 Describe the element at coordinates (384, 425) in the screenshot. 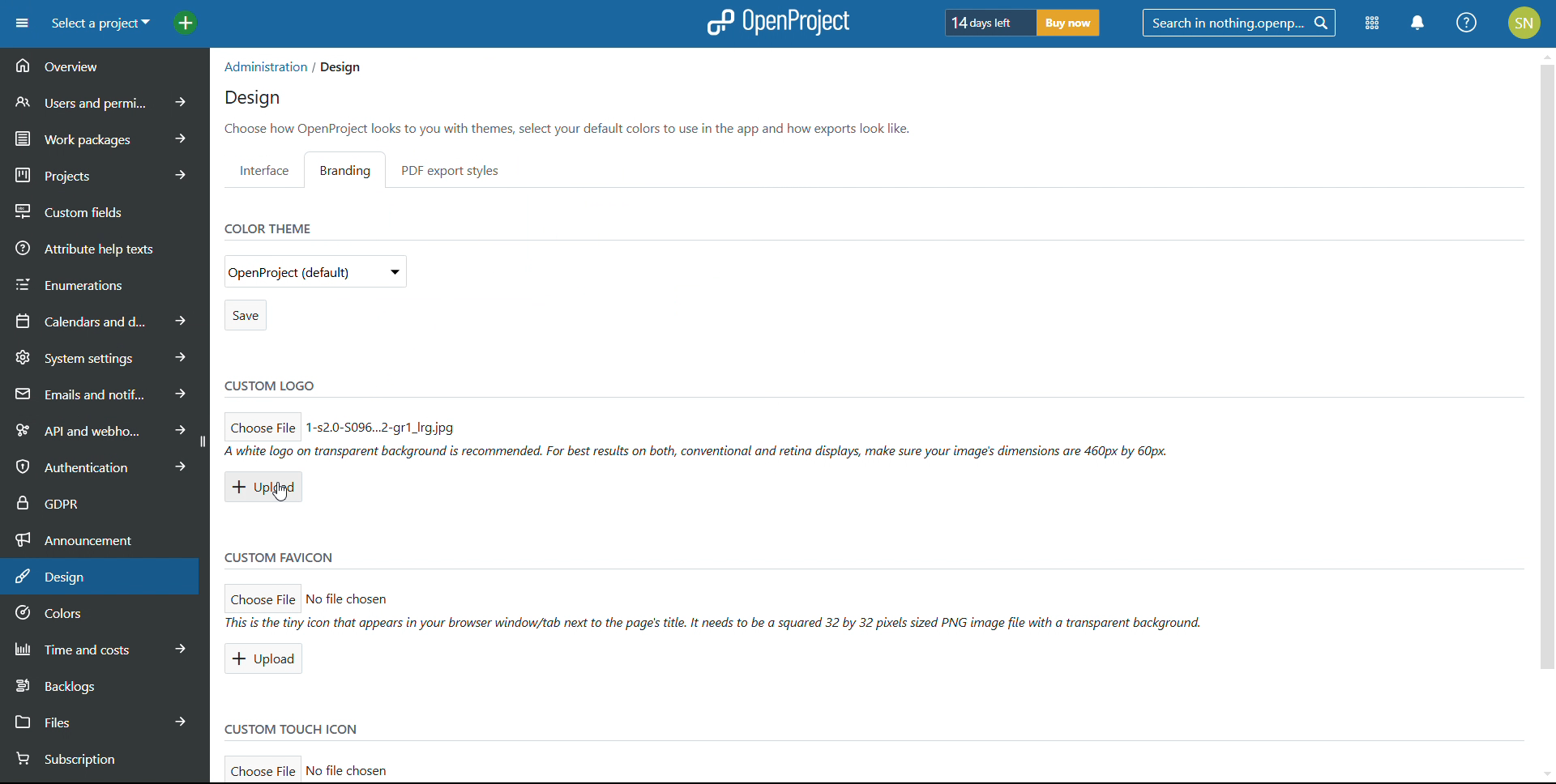

I see `file chosen` at that location.